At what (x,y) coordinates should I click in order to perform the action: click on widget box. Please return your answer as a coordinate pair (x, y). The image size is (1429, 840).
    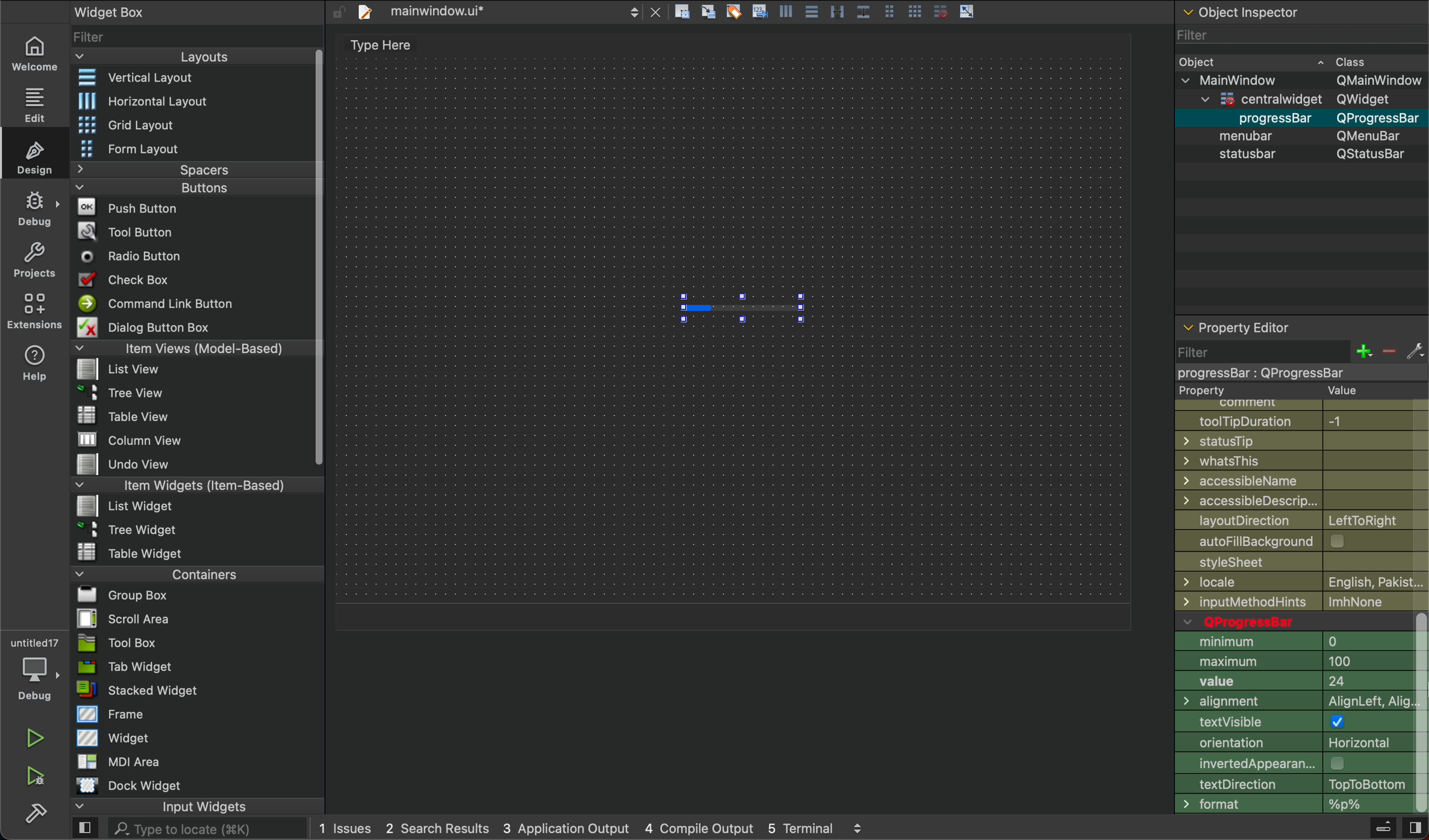
    Looking at the image, I should click on (143, 11).